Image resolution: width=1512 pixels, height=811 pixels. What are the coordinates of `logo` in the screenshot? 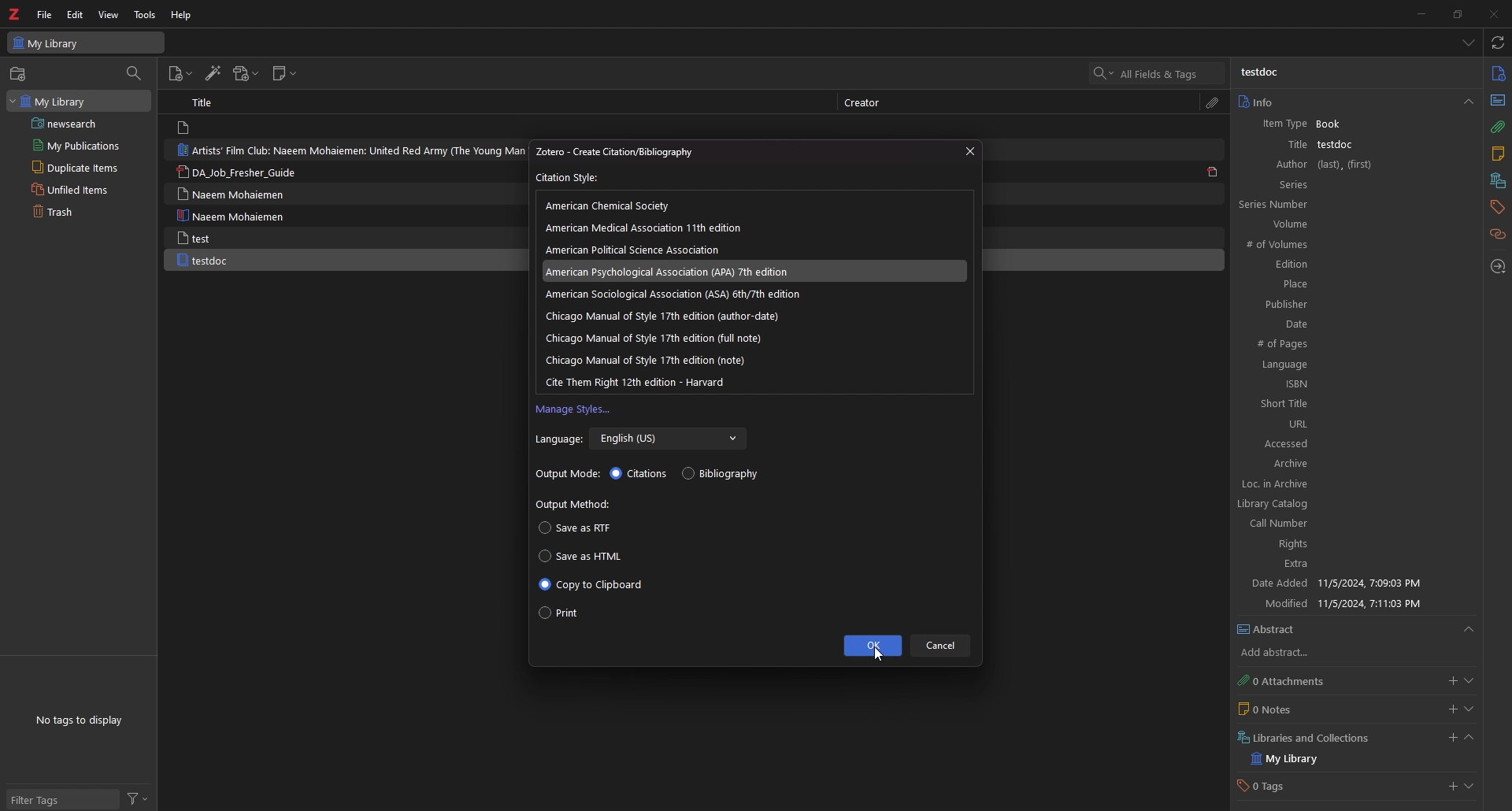 It's located at (16, 14).